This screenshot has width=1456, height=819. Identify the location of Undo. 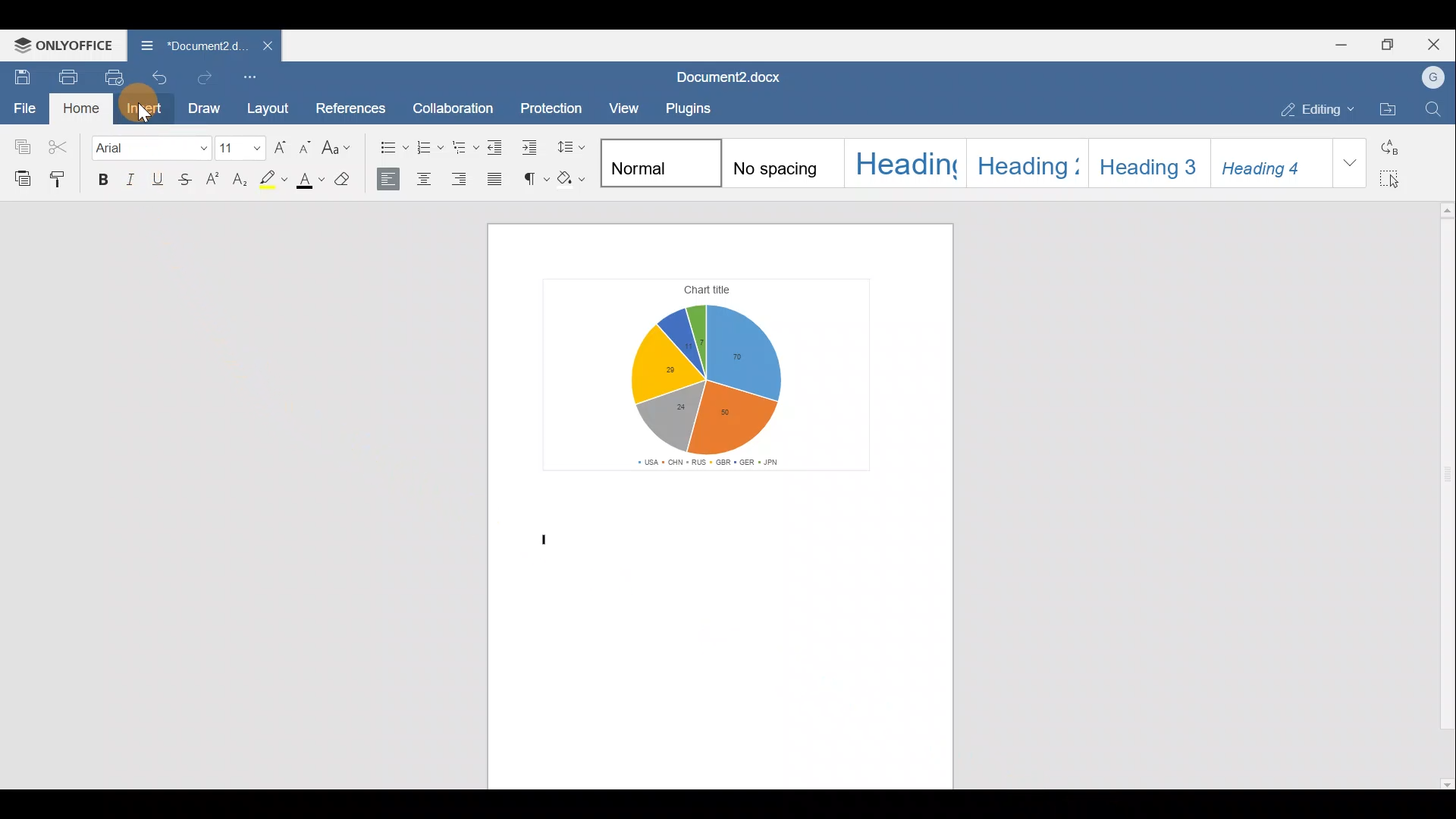
(162, 76).